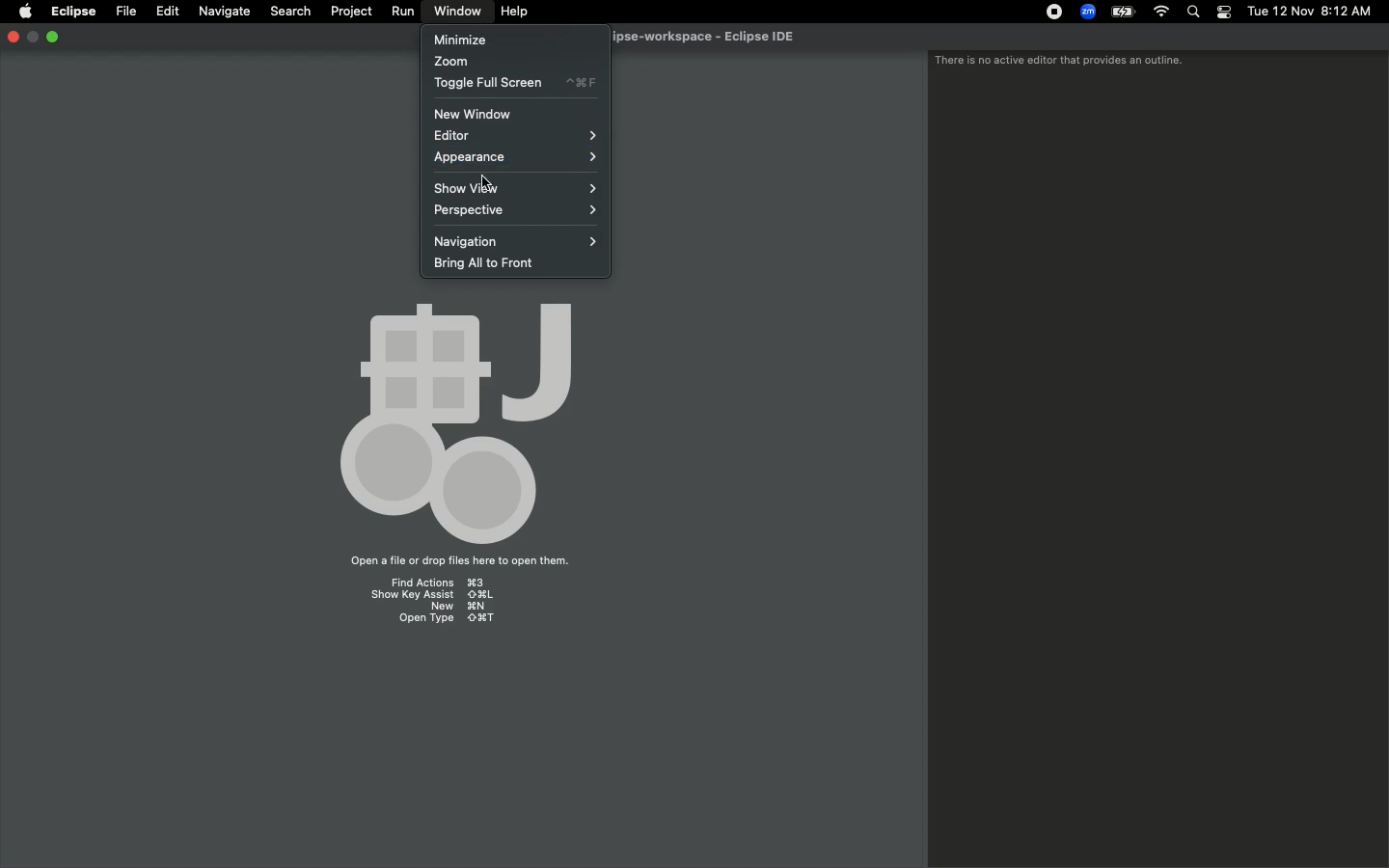  What do you see at coordinates (125, 10) in the screenshot?
I see `File` at bounding box center [125, 10].